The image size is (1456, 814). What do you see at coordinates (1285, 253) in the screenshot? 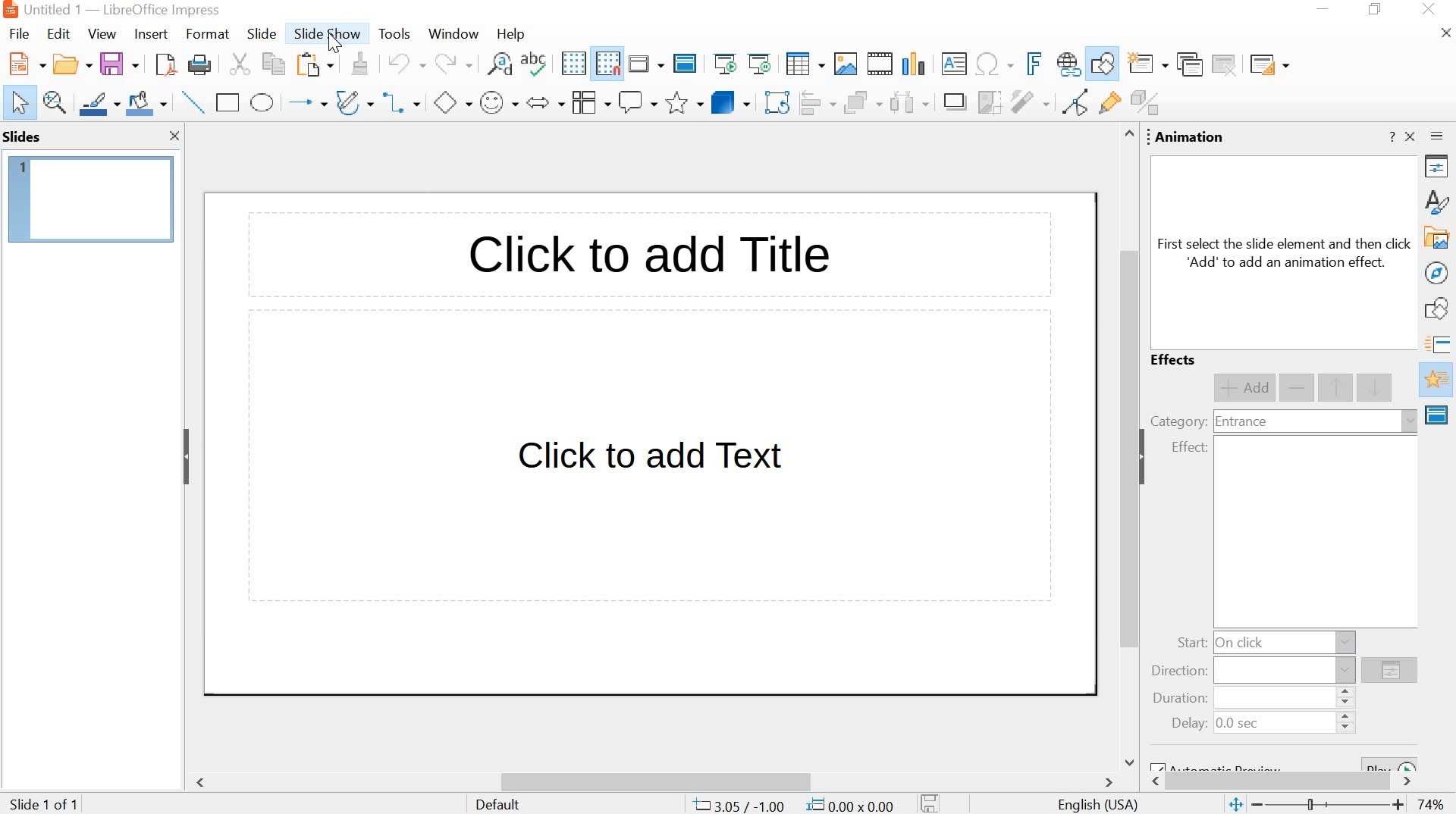
I see `text` at bounding box center [1285, 253].